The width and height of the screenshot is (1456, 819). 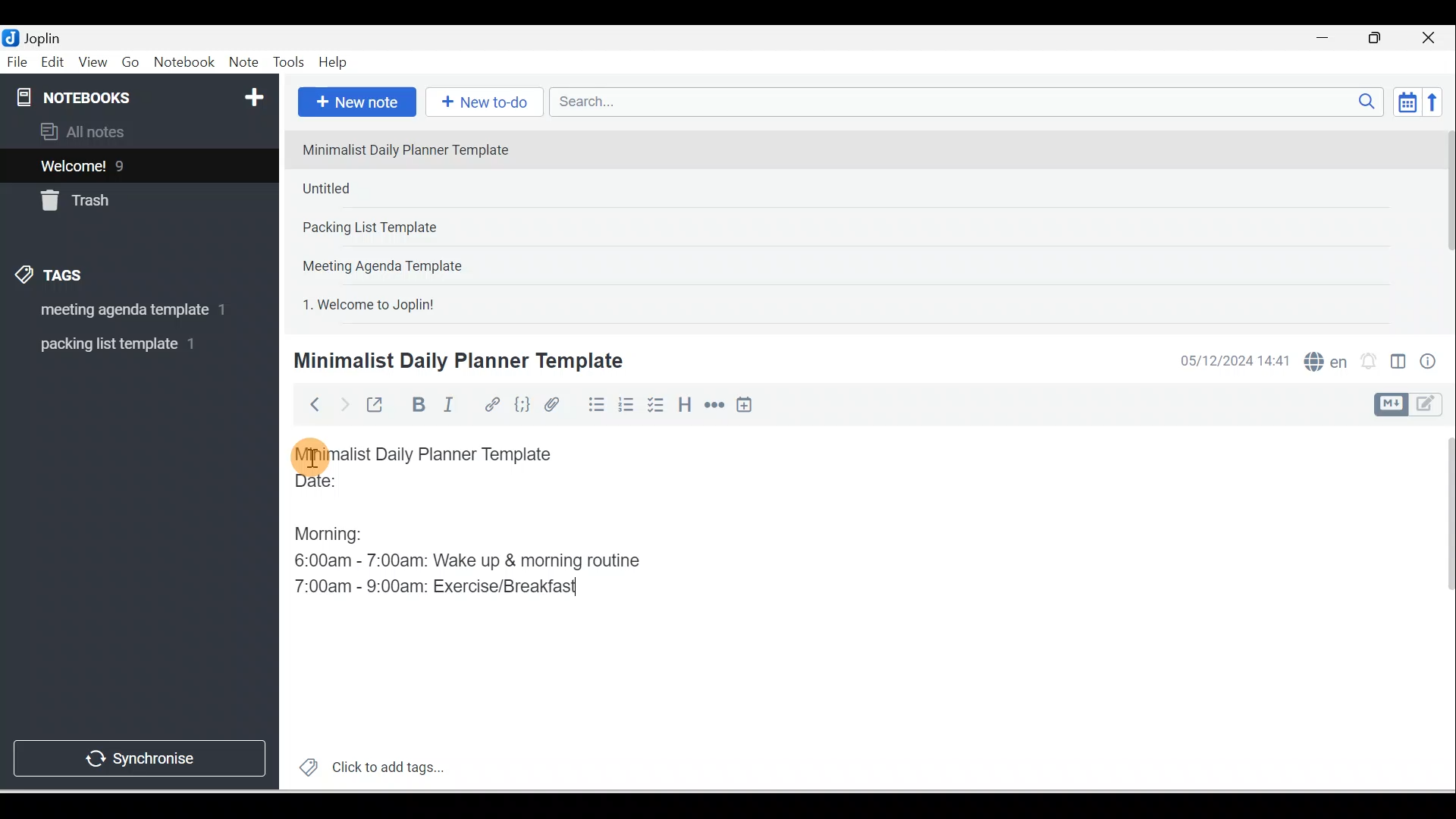 I want to click on 7:00am - 9:00am: Exercise/Breakfast, so click(x=439, y=585).